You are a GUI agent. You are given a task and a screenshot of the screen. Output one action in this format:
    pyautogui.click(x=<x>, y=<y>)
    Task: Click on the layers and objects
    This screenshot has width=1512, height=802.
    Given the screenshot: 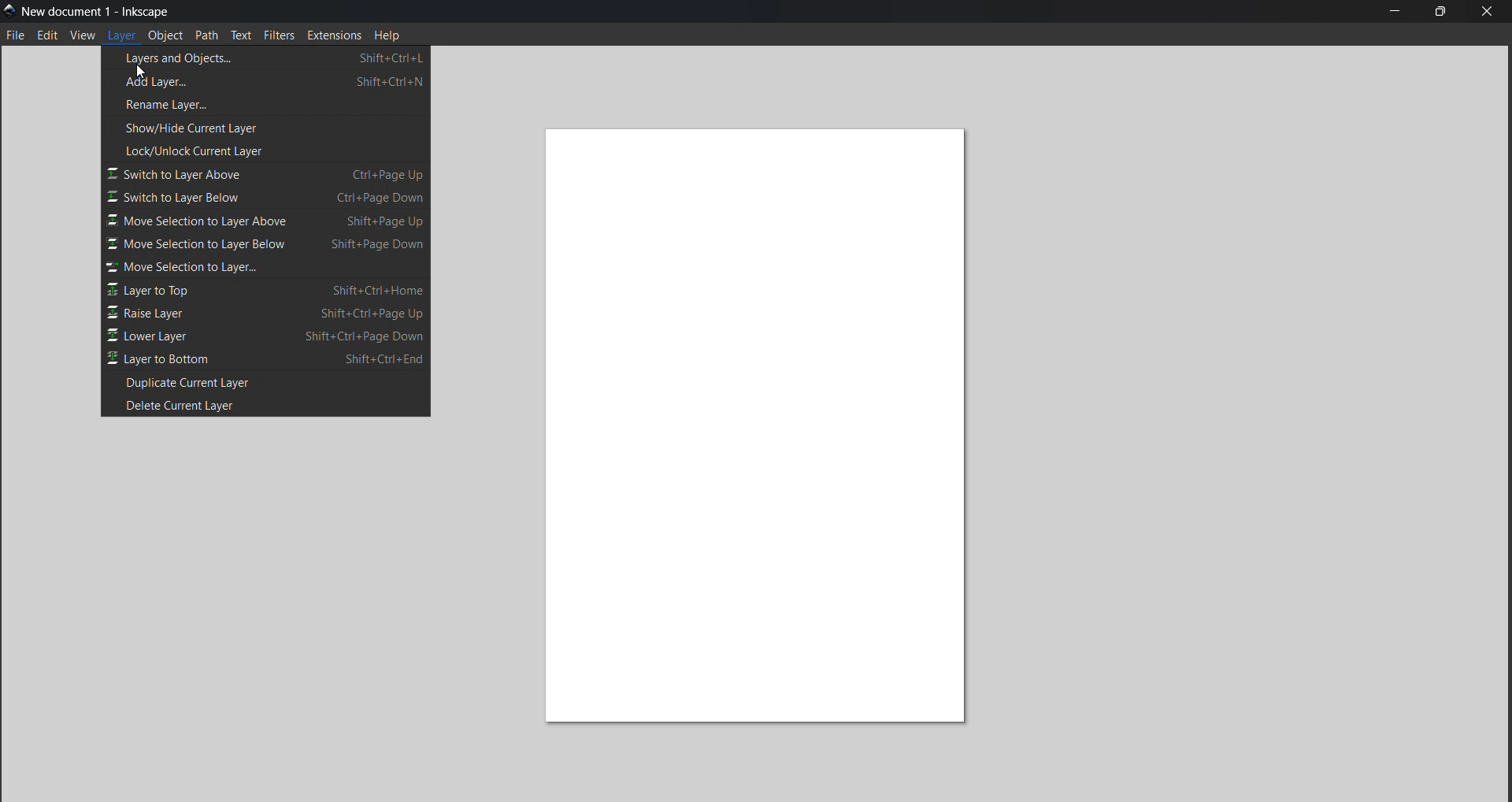 What is the action you would take?
    pyautogui.click(x=272, y=57)
    